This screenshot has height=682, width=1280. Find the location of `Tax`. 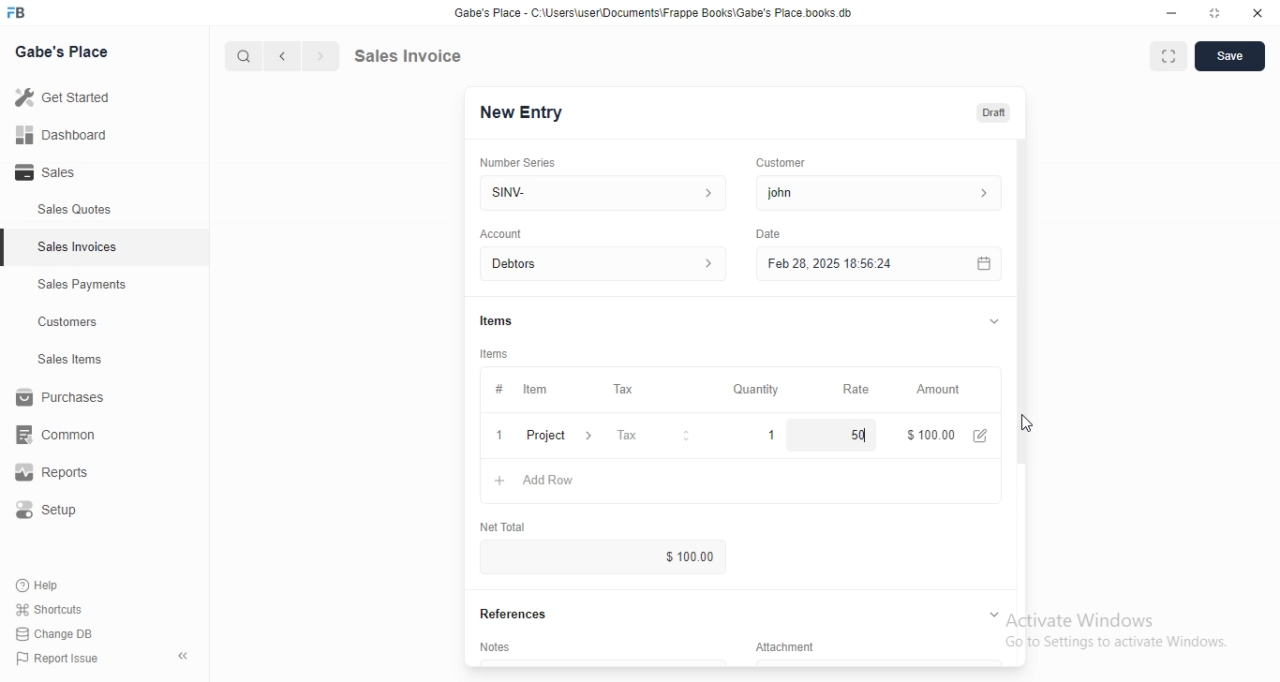

Tax is located at coordinates (628, 390).